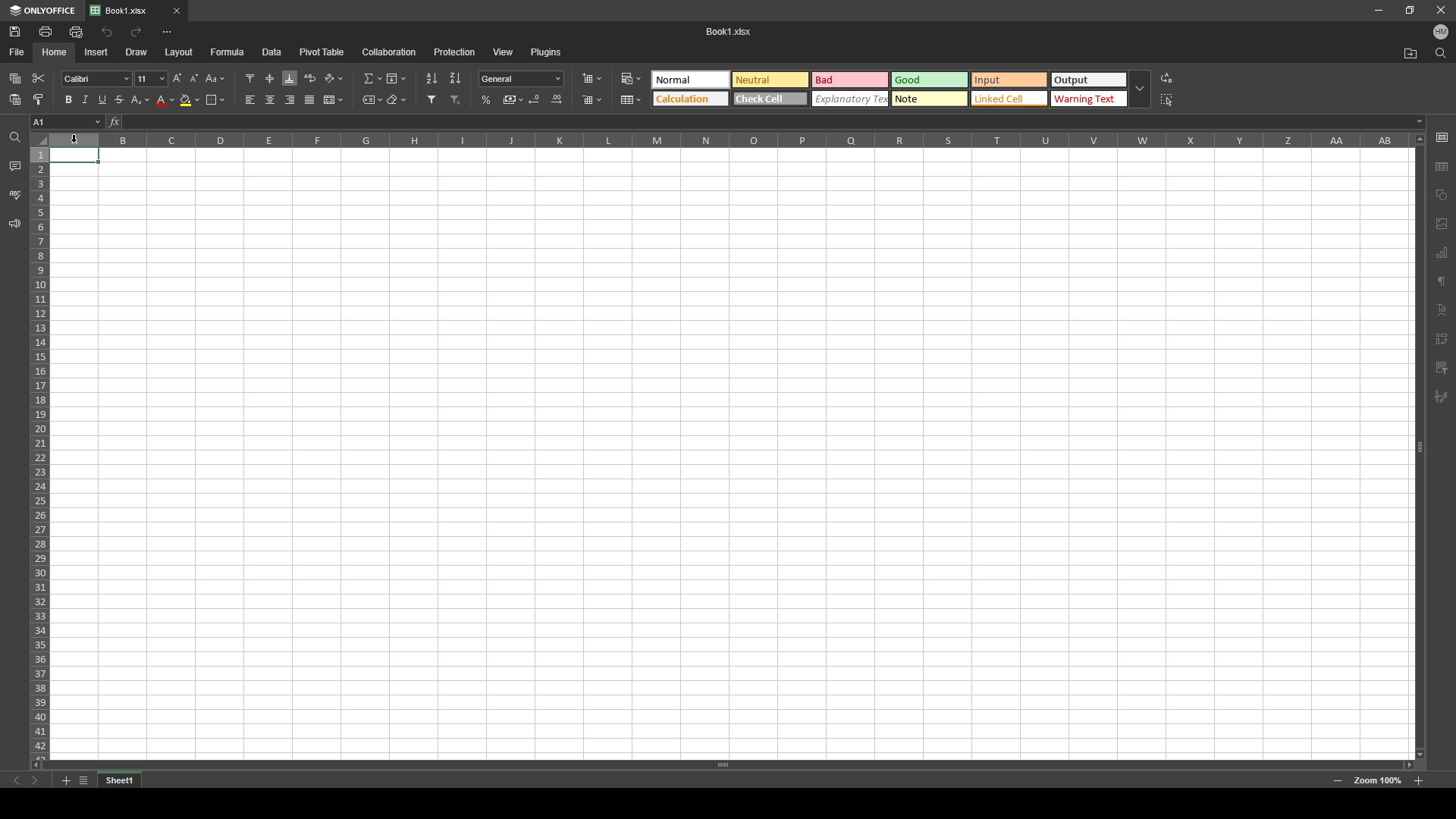 The height and width of the screenshot is (819, 1456). What do you see at coordinates (722, 764) in the screenshot?
I see `scroll bar` at bounding box center [722, 764].